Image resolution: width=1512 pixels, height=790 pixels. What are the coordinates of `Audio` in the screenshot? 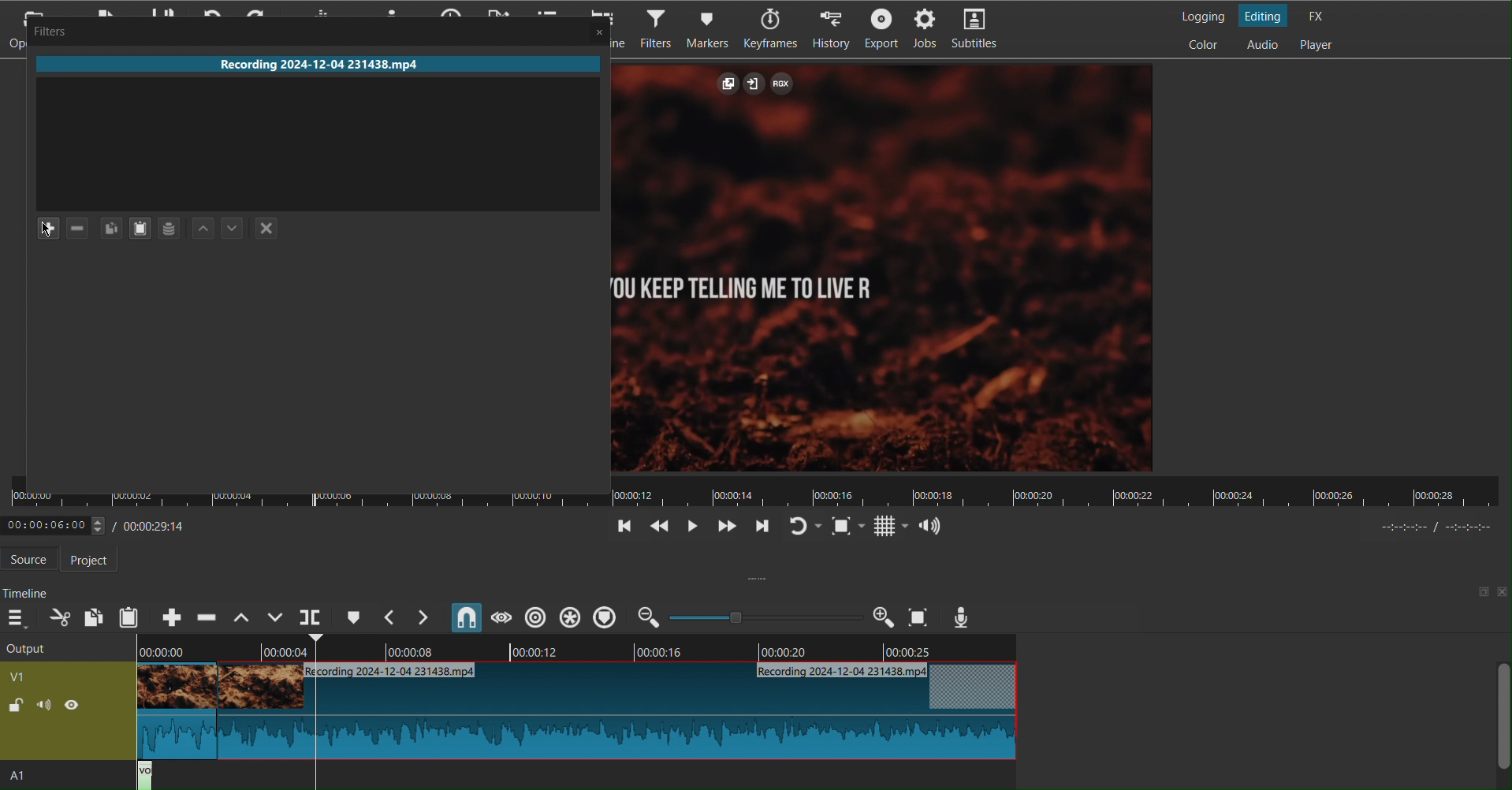 It's located at (1261, 45).